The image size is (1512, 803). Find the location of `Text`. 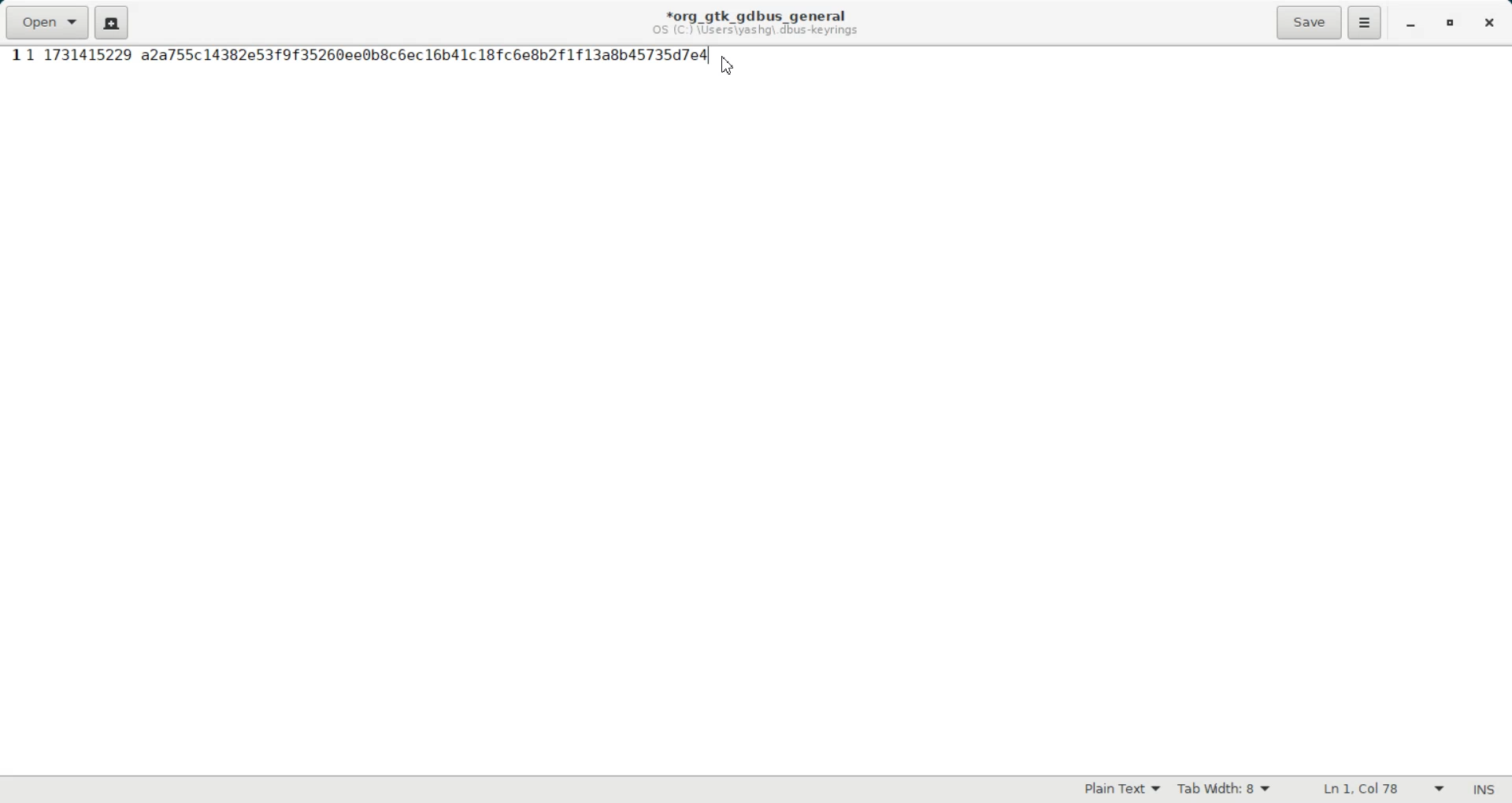

Text is located at coordinates (1483, 790).